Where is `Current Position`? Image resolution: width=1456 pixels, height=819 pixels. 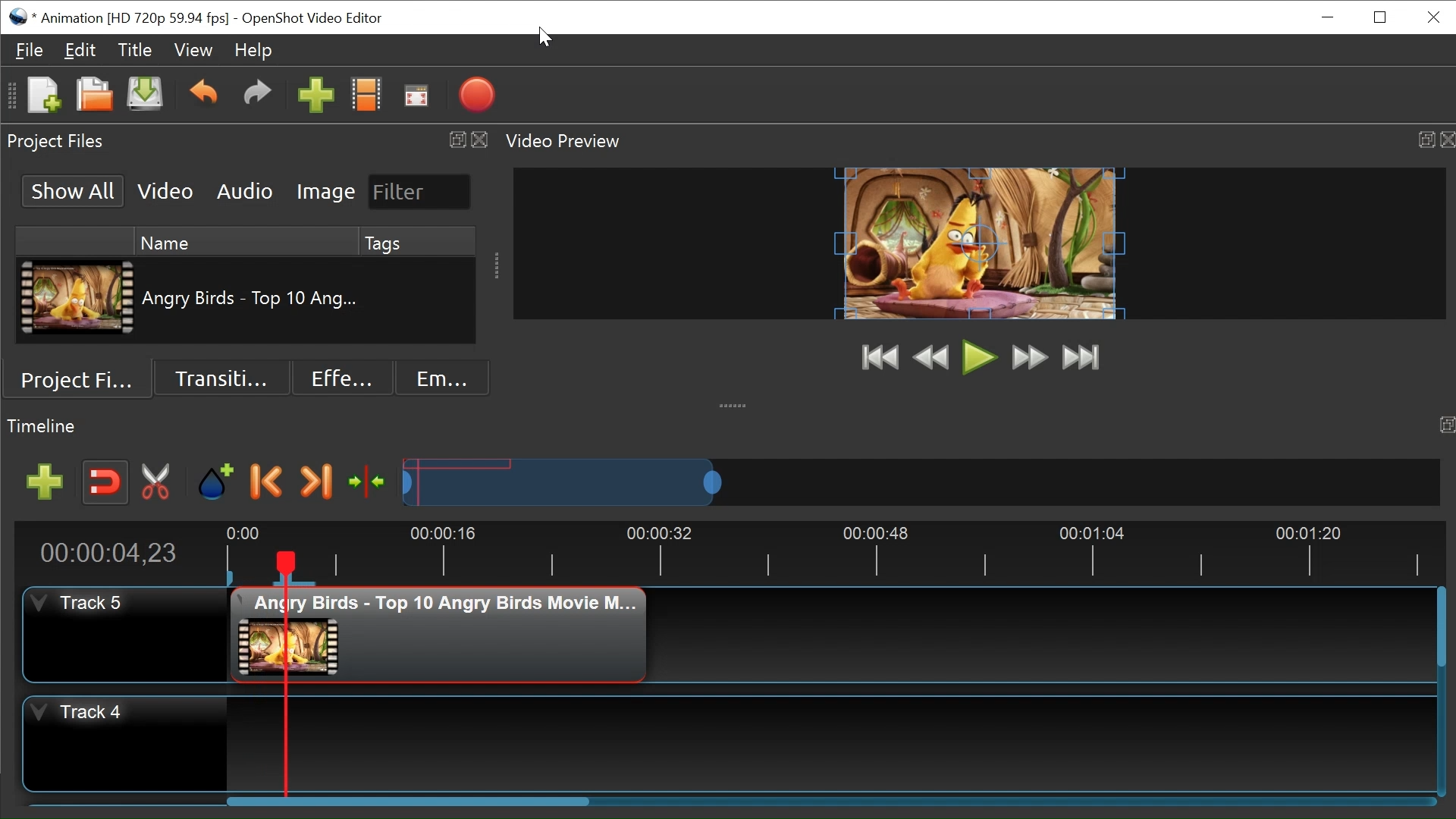 Current Position is located at coordinates (108, 554).